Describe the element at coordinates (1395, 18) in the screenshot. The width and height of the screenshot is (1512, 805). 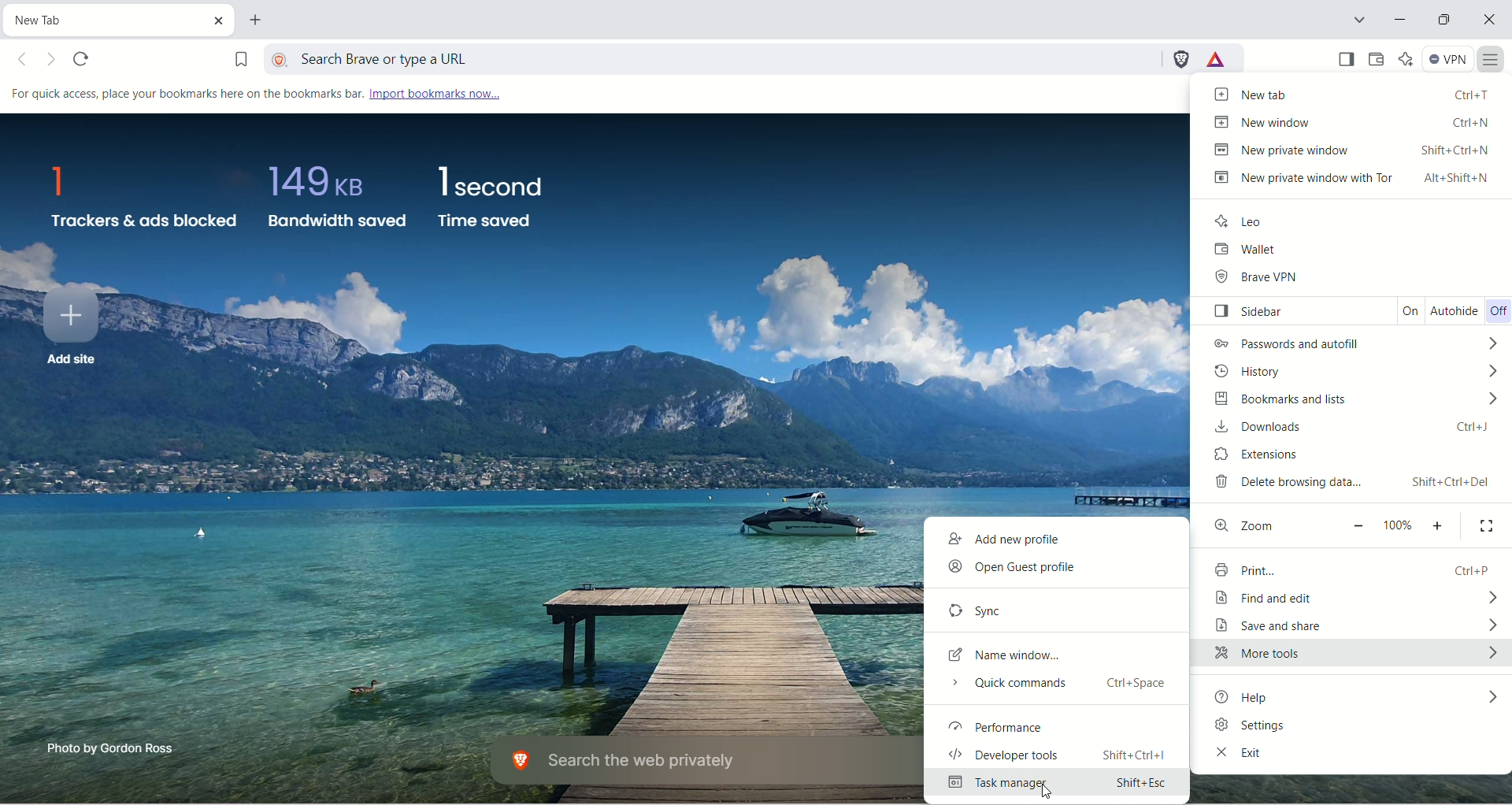
I see `minimize` at that location.